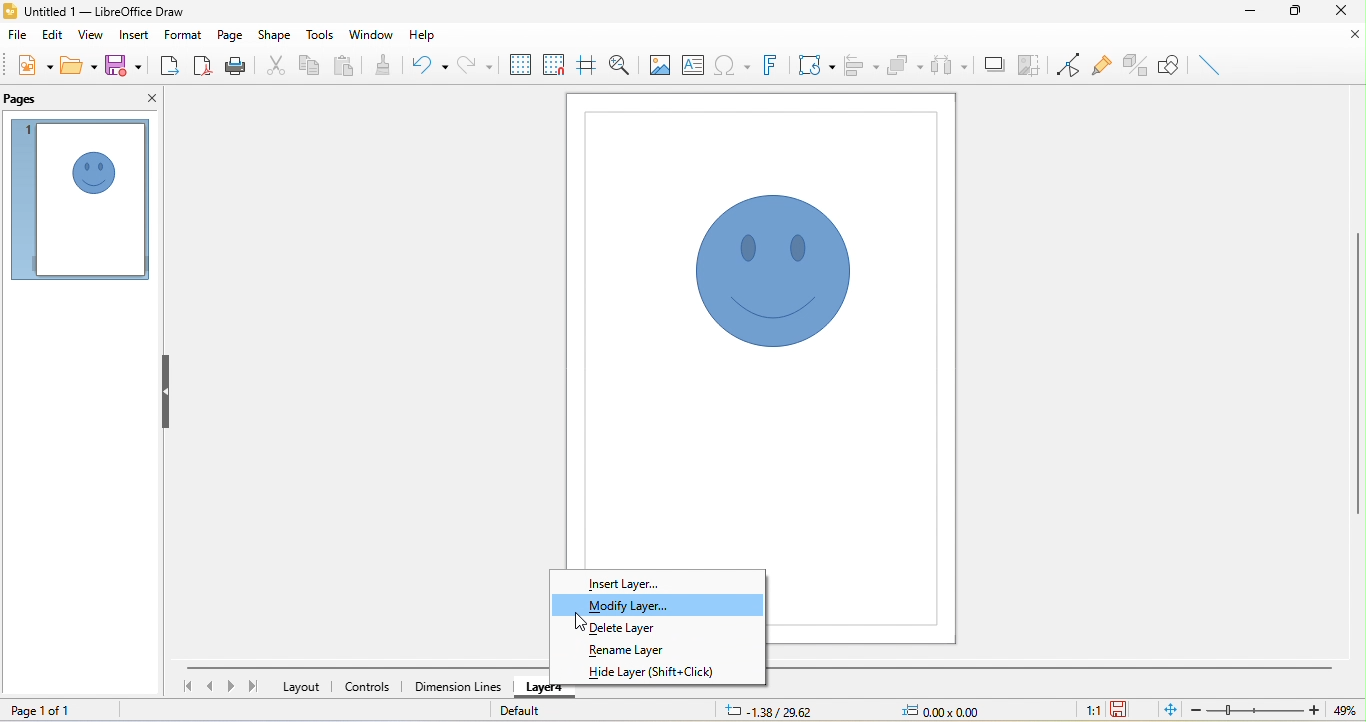  What do you see at coordinates (1346, 37) in the screenshot?
I see `close` at bounding box center [1346, 37].